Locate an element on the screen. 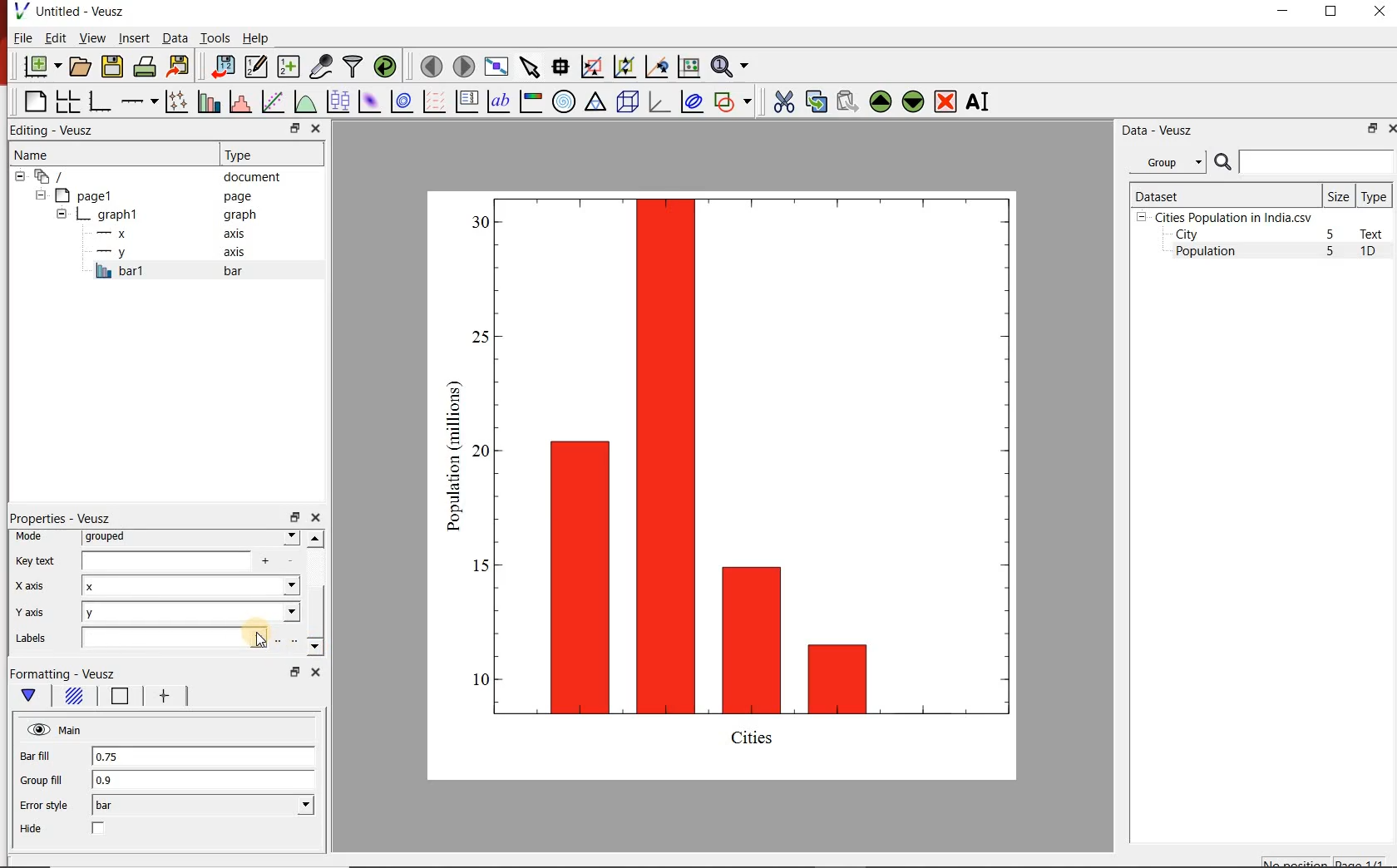 This screenshot has height=868, width=1397. y axis is located at coordinates (174, 253).